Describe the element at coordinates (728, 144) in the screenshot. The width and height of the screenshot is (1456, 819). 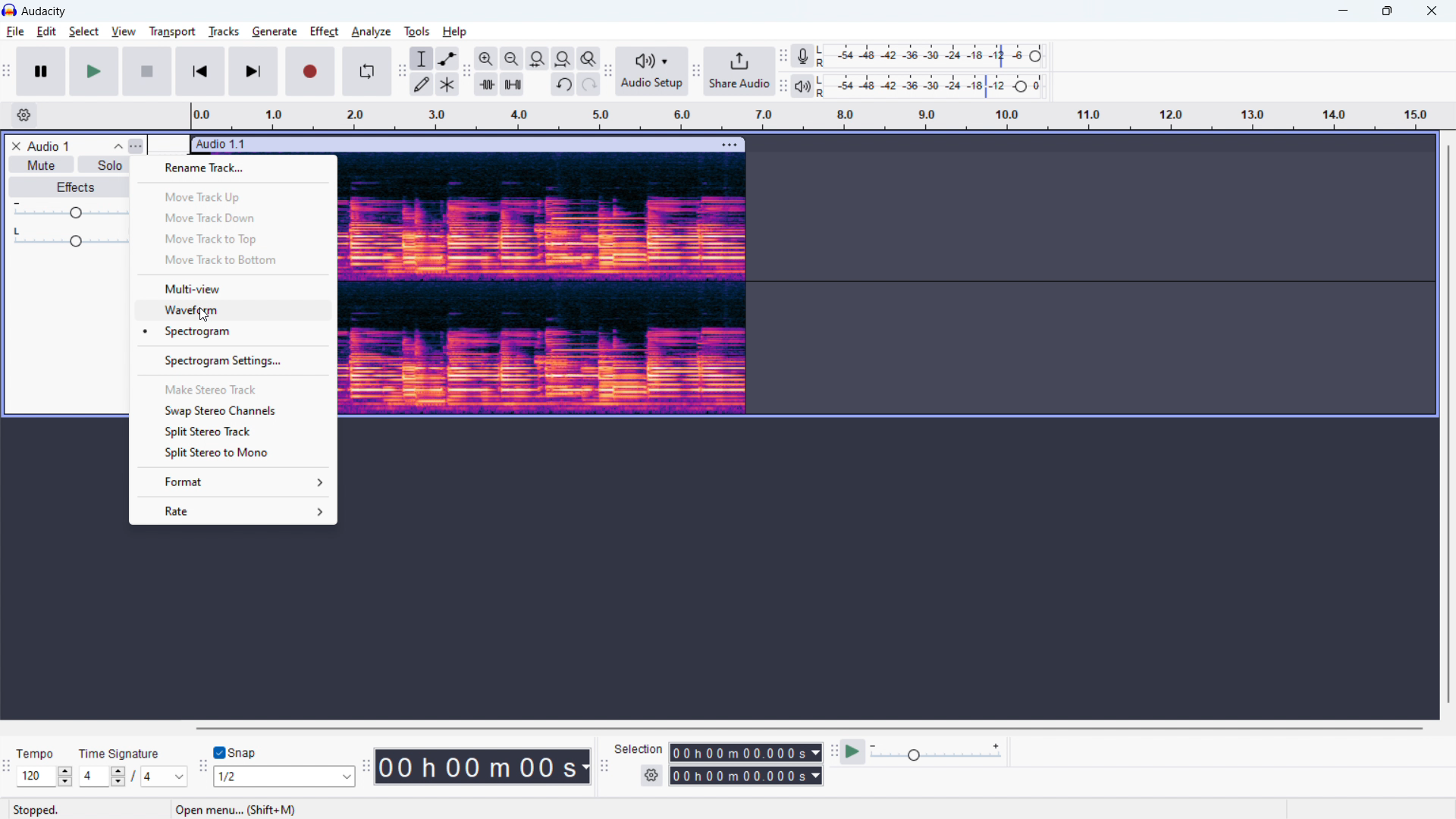
I see `track options` at that location.